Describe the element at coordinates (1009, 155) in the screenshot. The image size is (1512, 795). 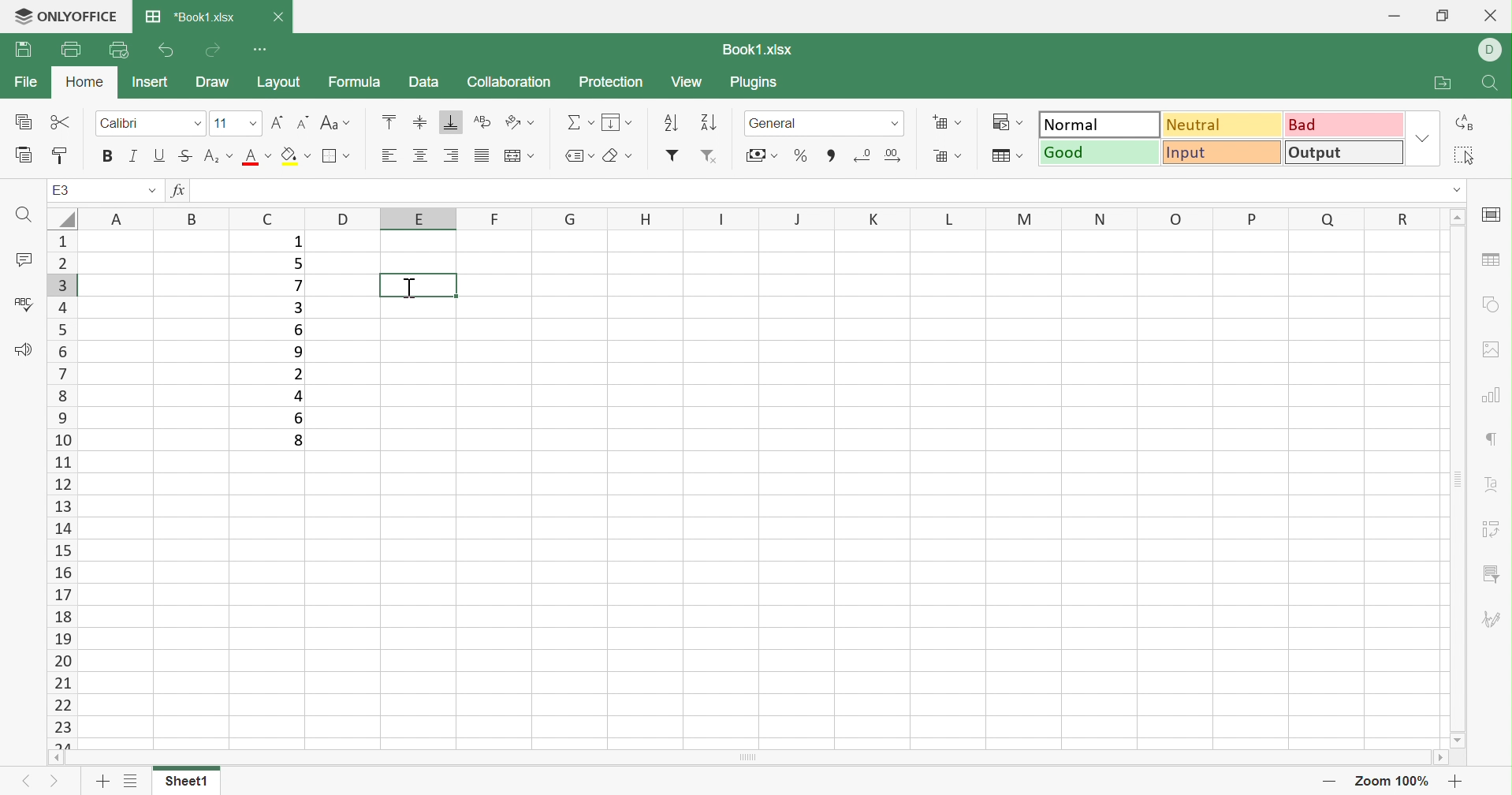
I see `Format table as template` at that location.